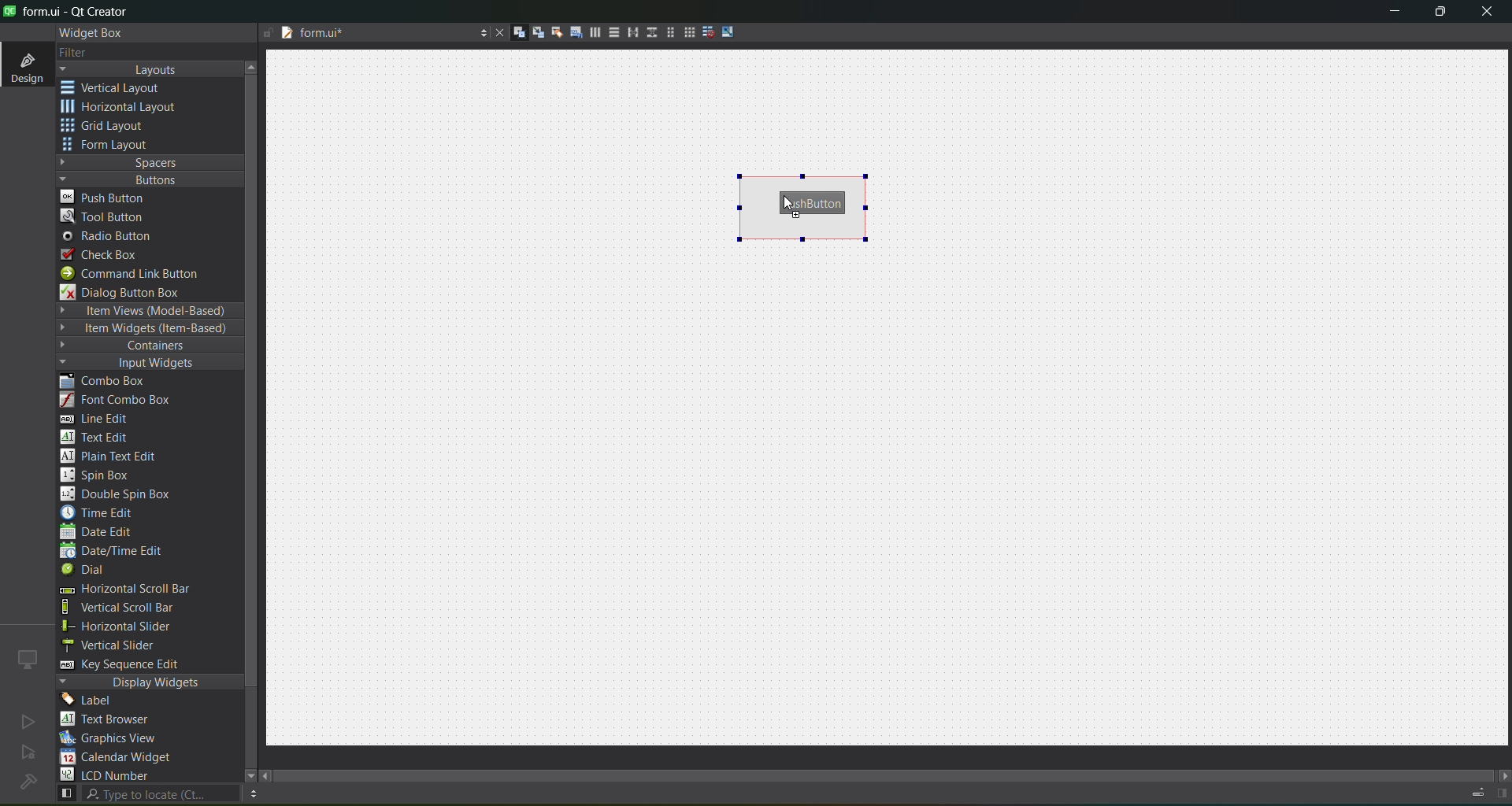  Describe the element at coordinates (896, 771) in the screenshot. I see `scroll bar` at that location.